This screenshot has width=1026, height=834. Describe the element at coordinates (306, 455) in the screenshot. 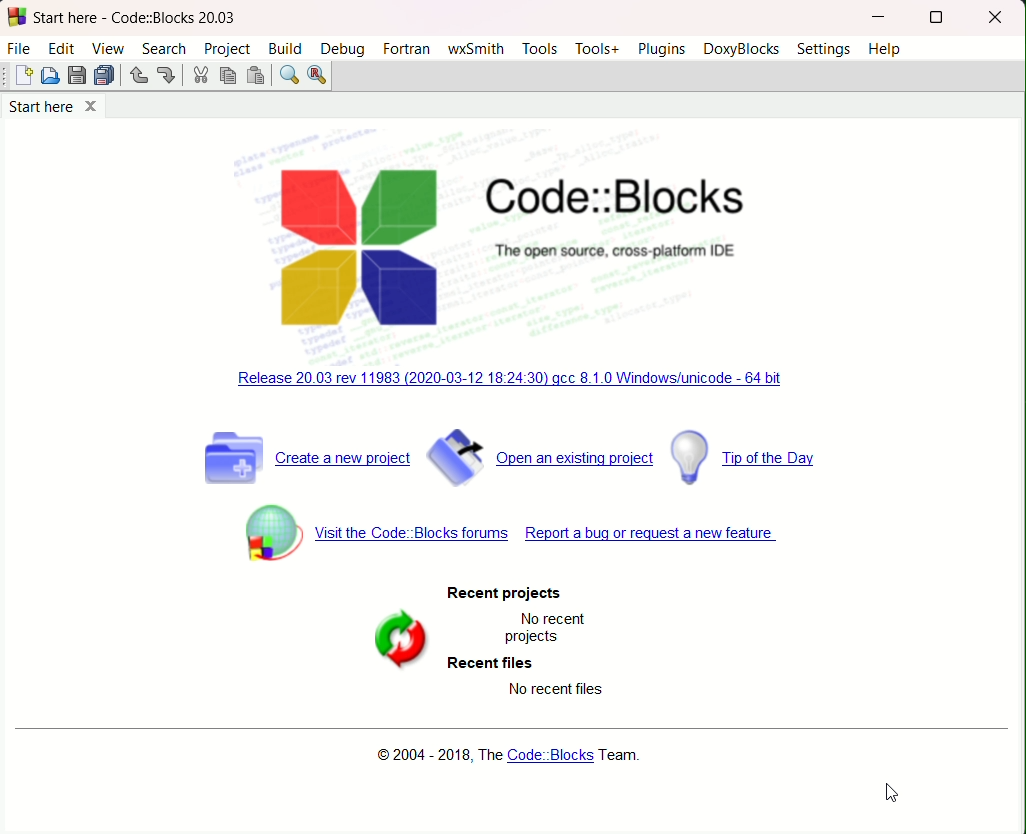

I see `create a new project` at that location.